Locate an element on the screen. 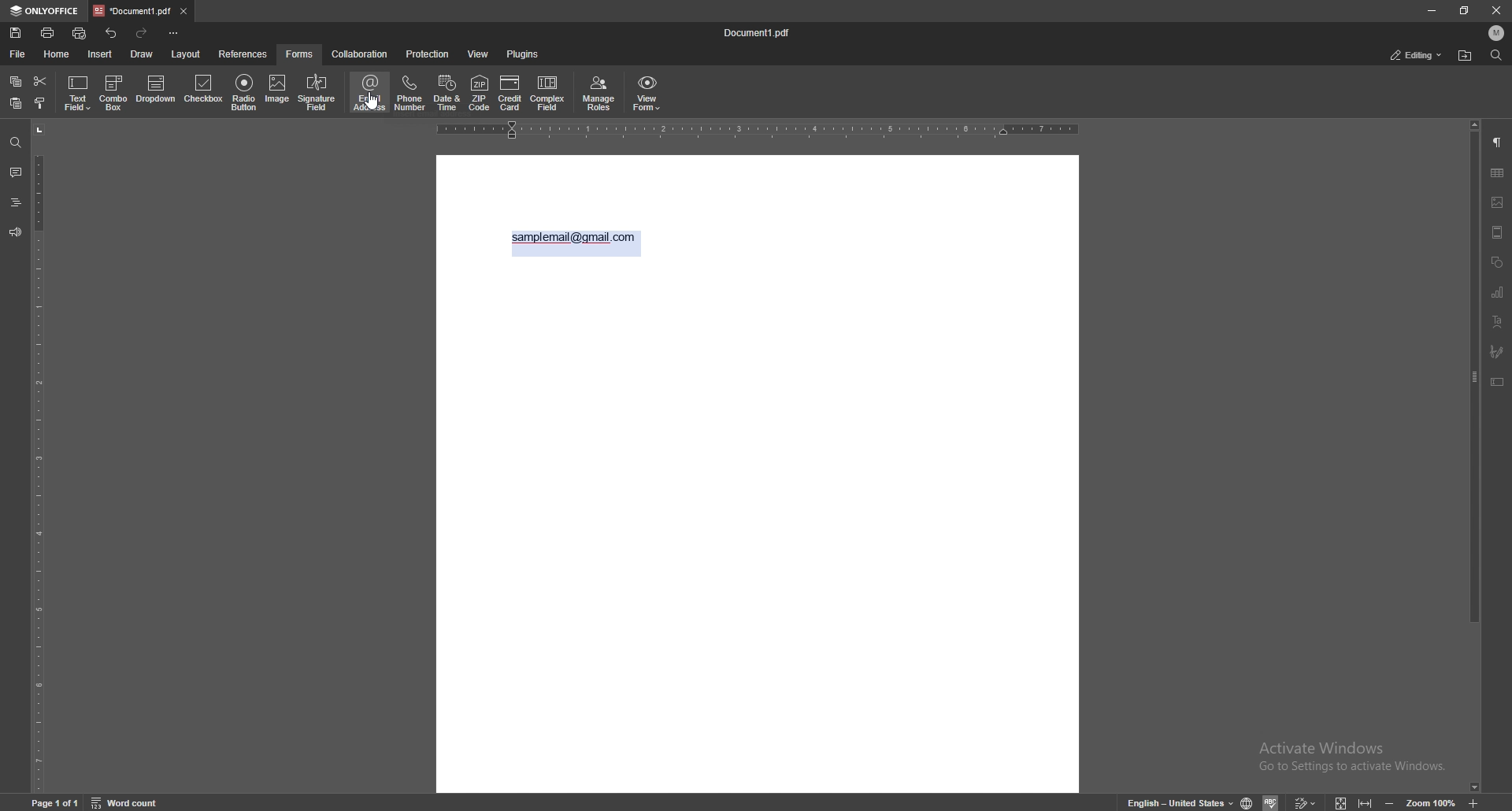 This screenshot has height=811, width=1512. close is located at coordinates (1495, 10).